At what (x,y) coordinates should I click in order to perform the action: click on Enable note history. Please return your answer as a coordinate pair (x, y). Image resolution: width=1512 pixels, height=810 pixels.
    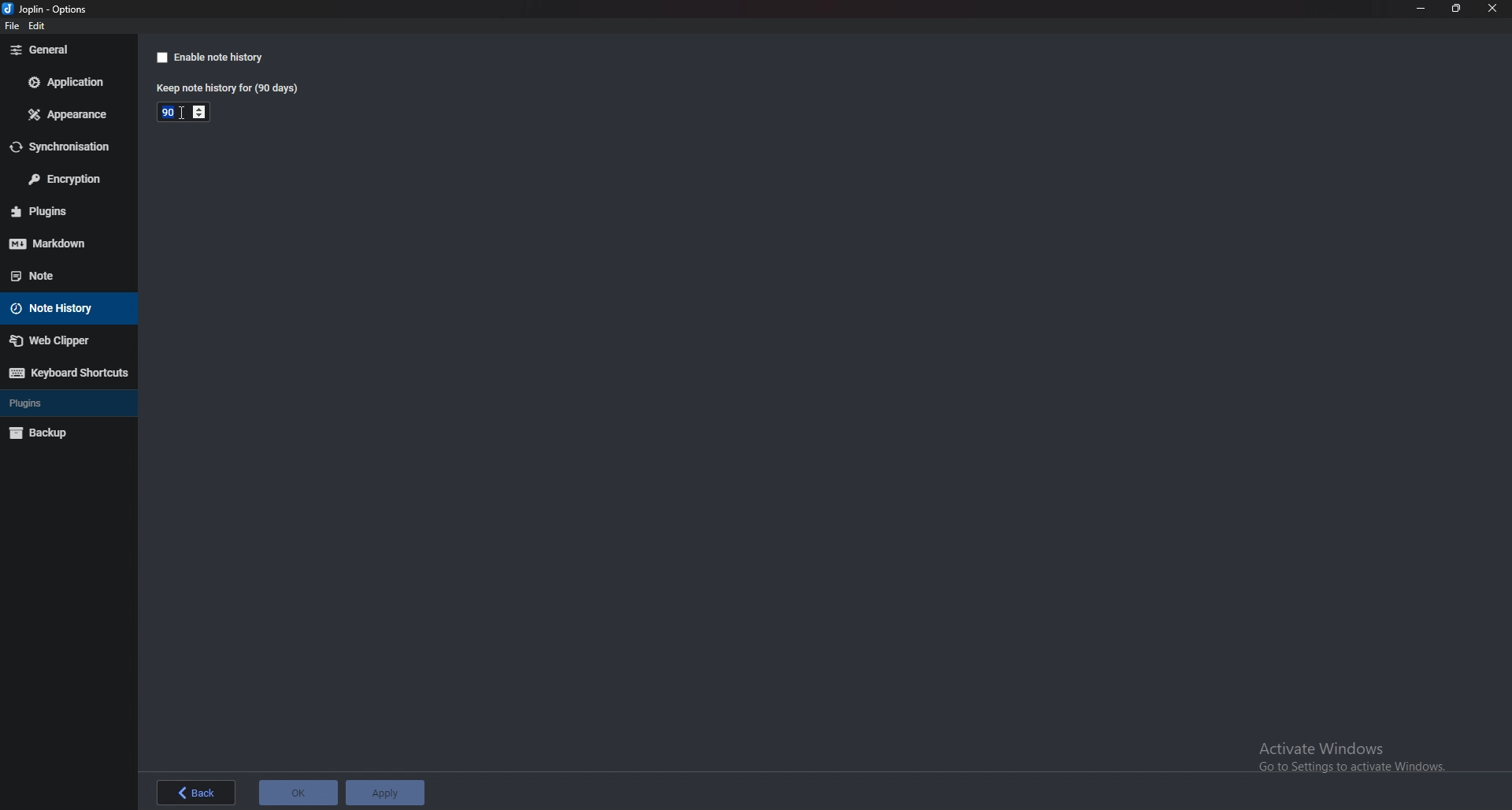
    Looking at the image, I should click on (208, 57).